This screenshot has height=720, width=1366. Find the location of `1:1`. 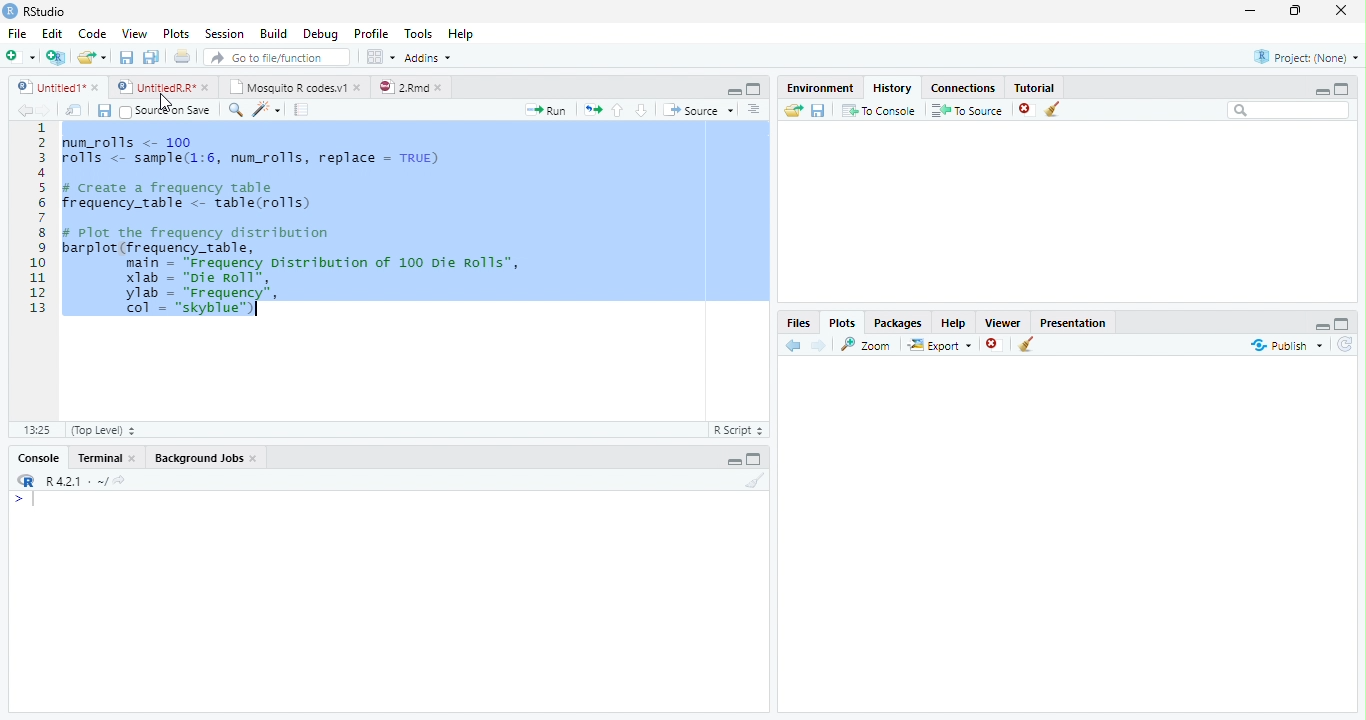

1:1 is located at coordinates (35, 430).